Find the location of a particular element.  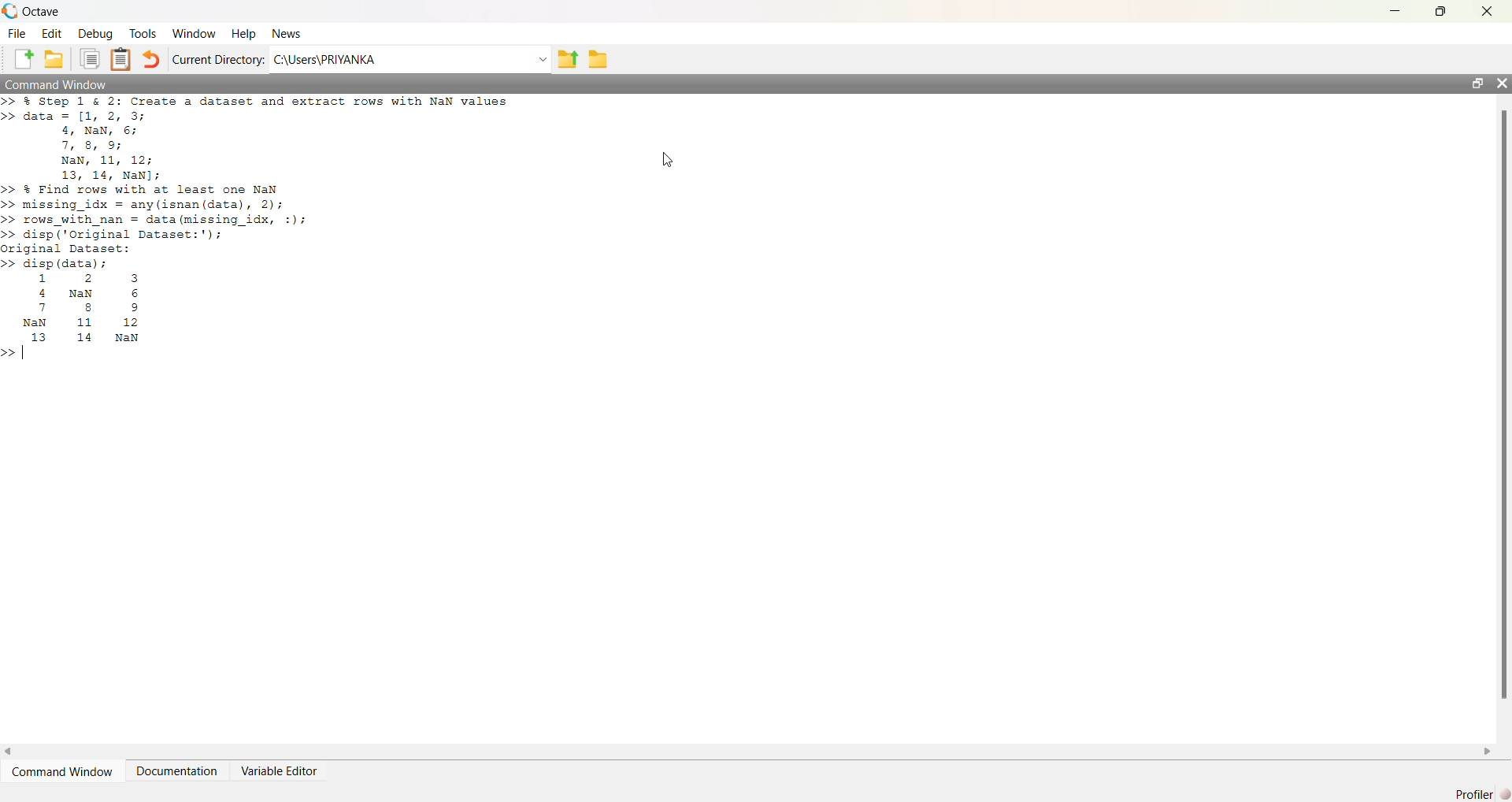

previous folder is located at coordinates (567, 61).